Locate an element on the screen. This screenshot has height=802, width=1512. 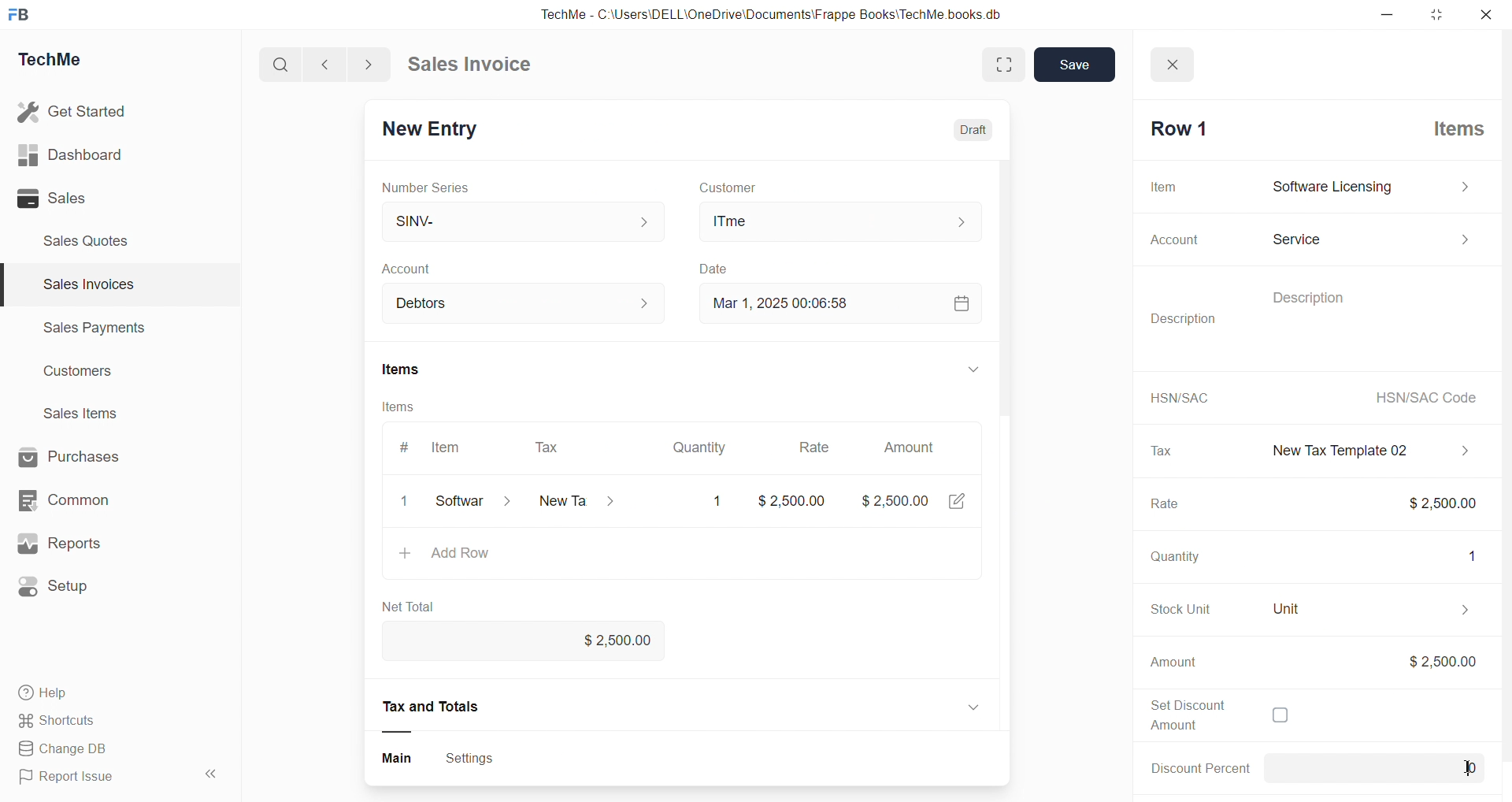
Sales Payments is located at coordinates (87, 330).